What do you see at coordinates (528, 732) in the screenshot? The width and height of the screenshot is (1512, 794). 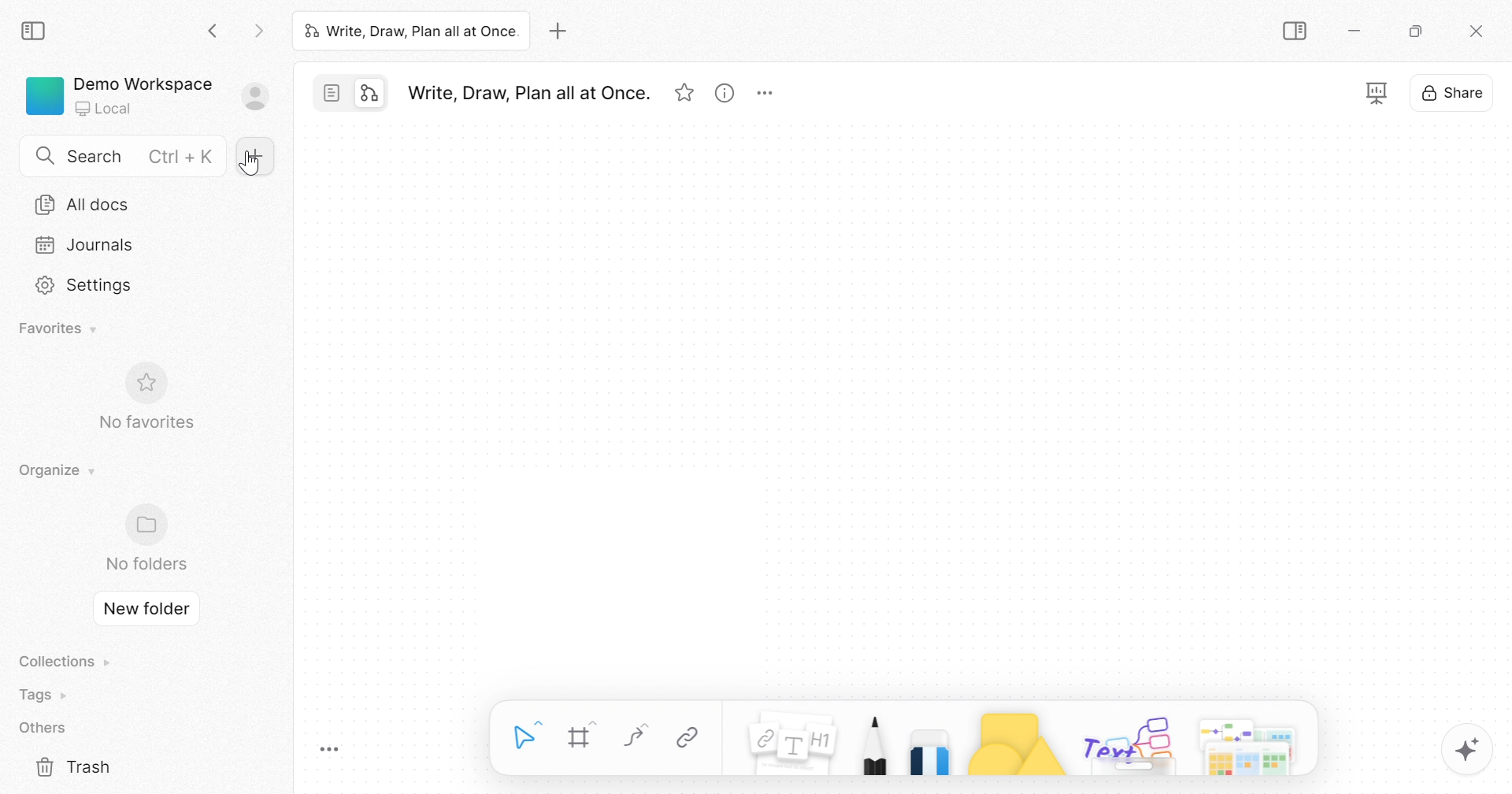 I see `Select` at bounding box center [528, 732].